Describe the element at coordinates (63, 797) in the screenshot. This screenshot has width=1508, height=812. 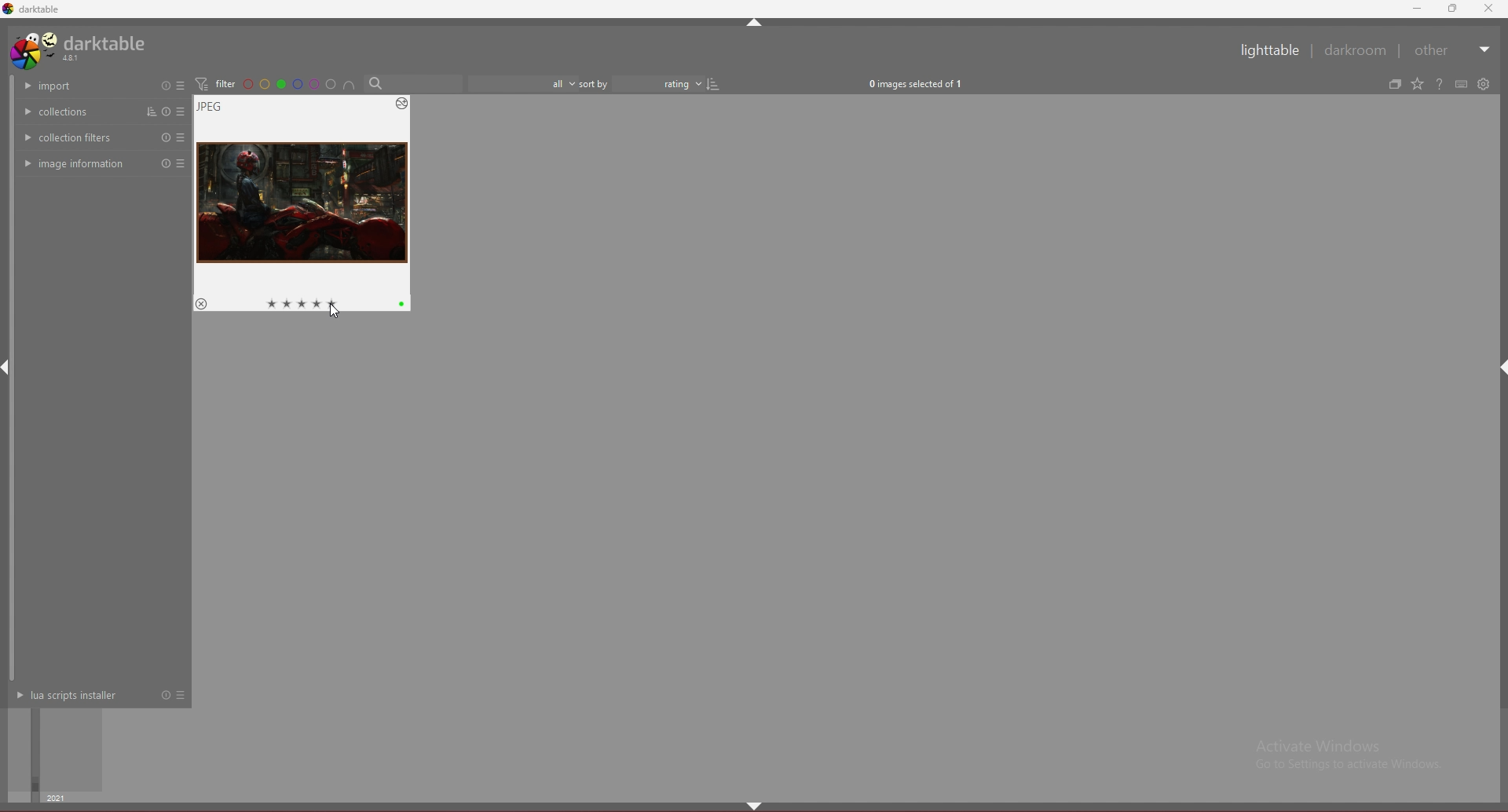
I see `year` at that location.